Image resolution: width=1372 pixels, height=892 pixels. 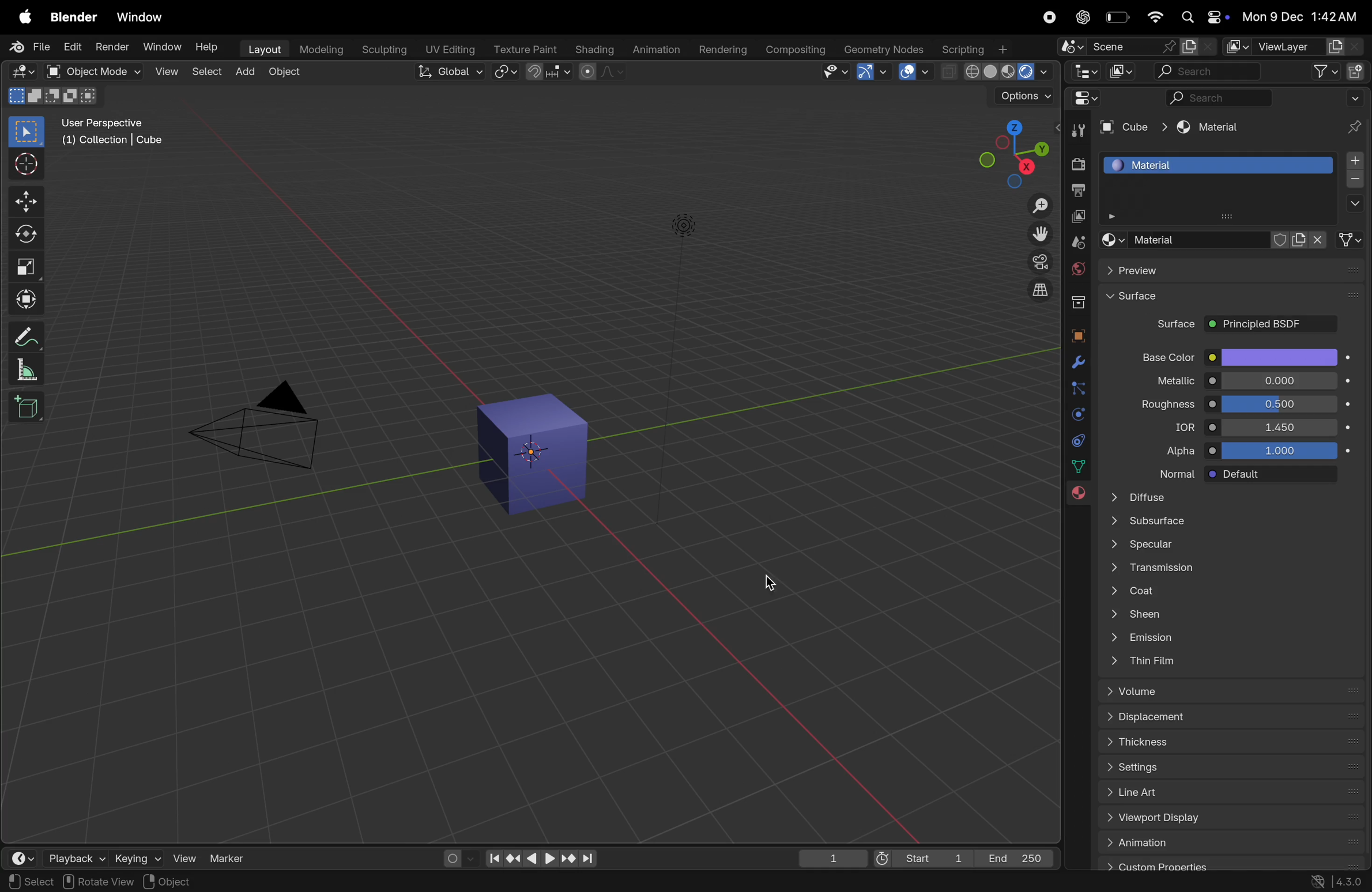 What do you see at coordinates (166, 73) in the screenshot?
I see `view` at bounding box center [166, 73].